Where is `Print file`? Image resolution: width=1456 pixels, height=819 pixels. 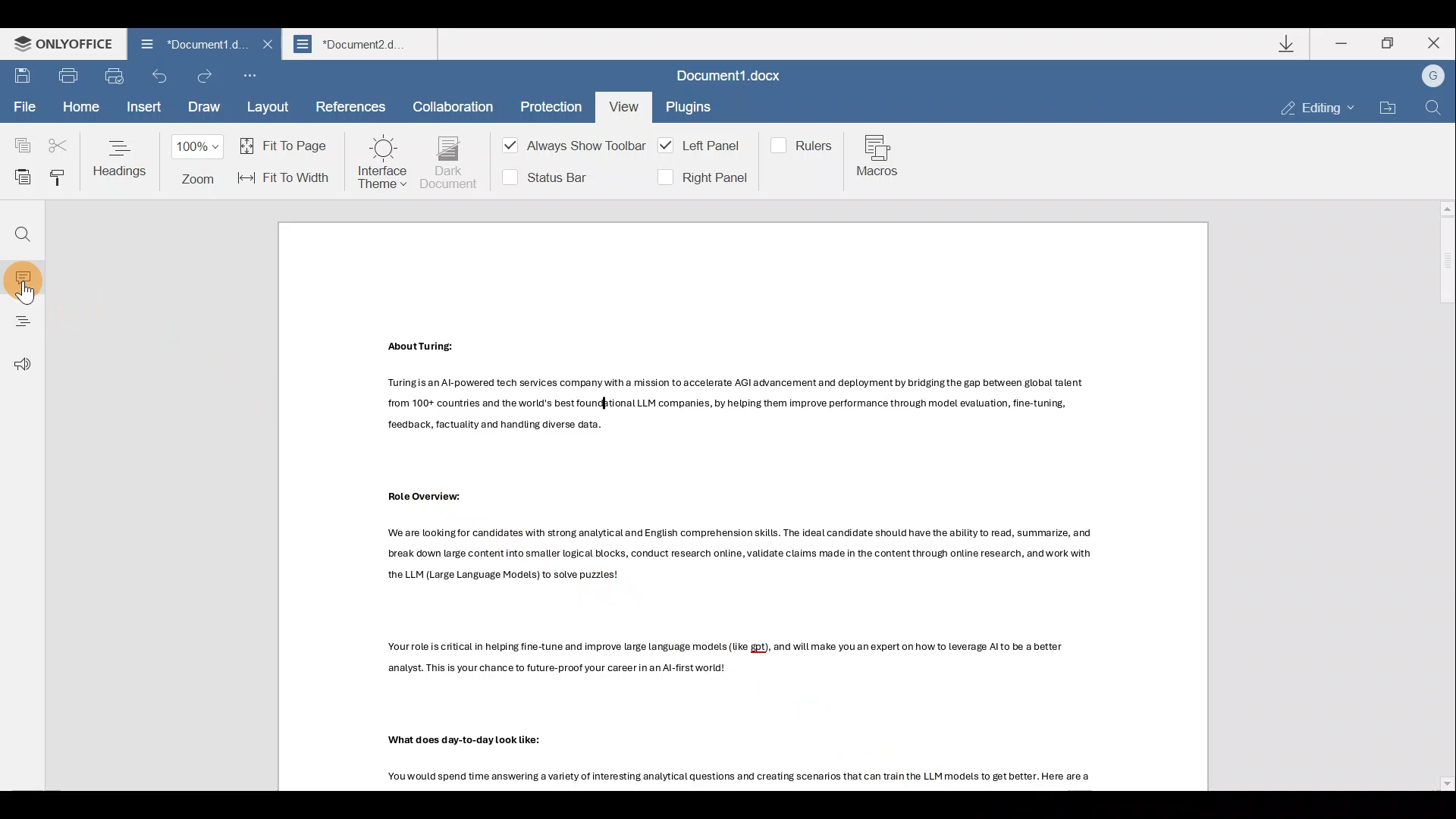
Print file is located at coordinates (72, 78).